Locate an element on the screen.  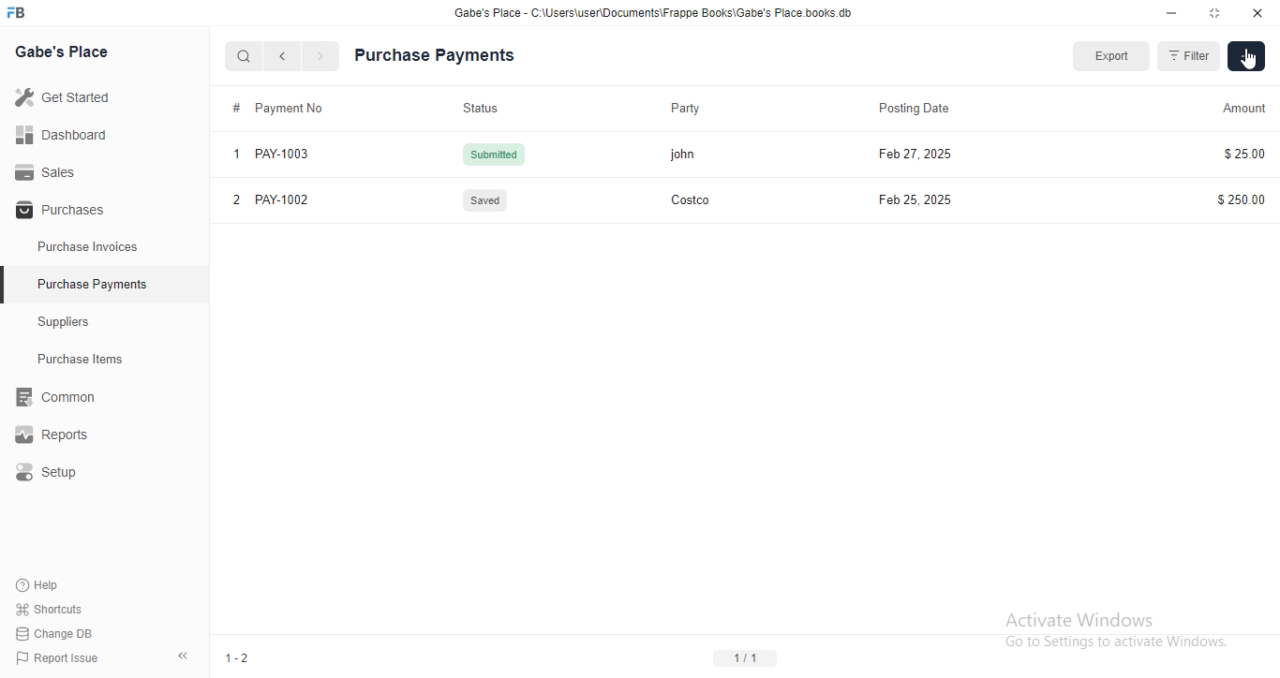
close is located at coordinates (1258, 13).